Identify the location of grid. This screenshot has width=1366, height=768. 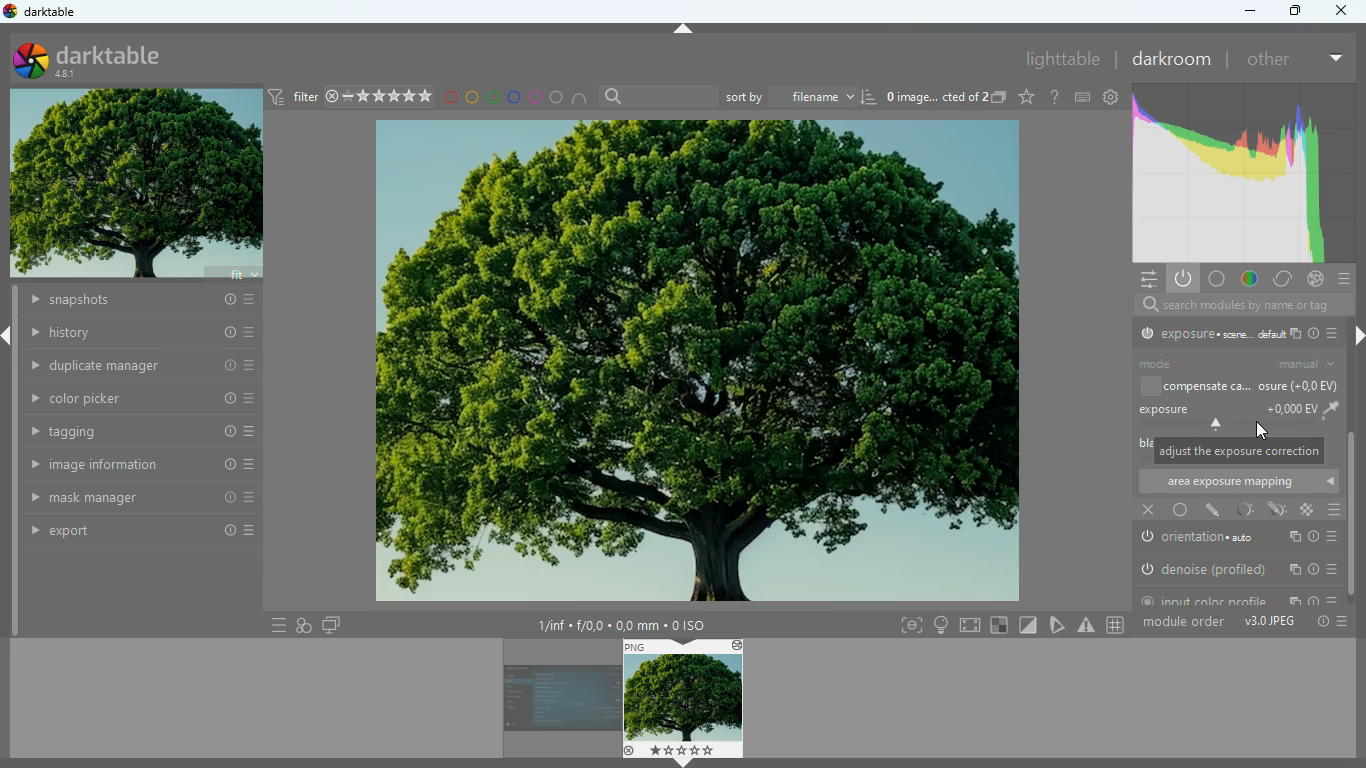
(1116, 622).